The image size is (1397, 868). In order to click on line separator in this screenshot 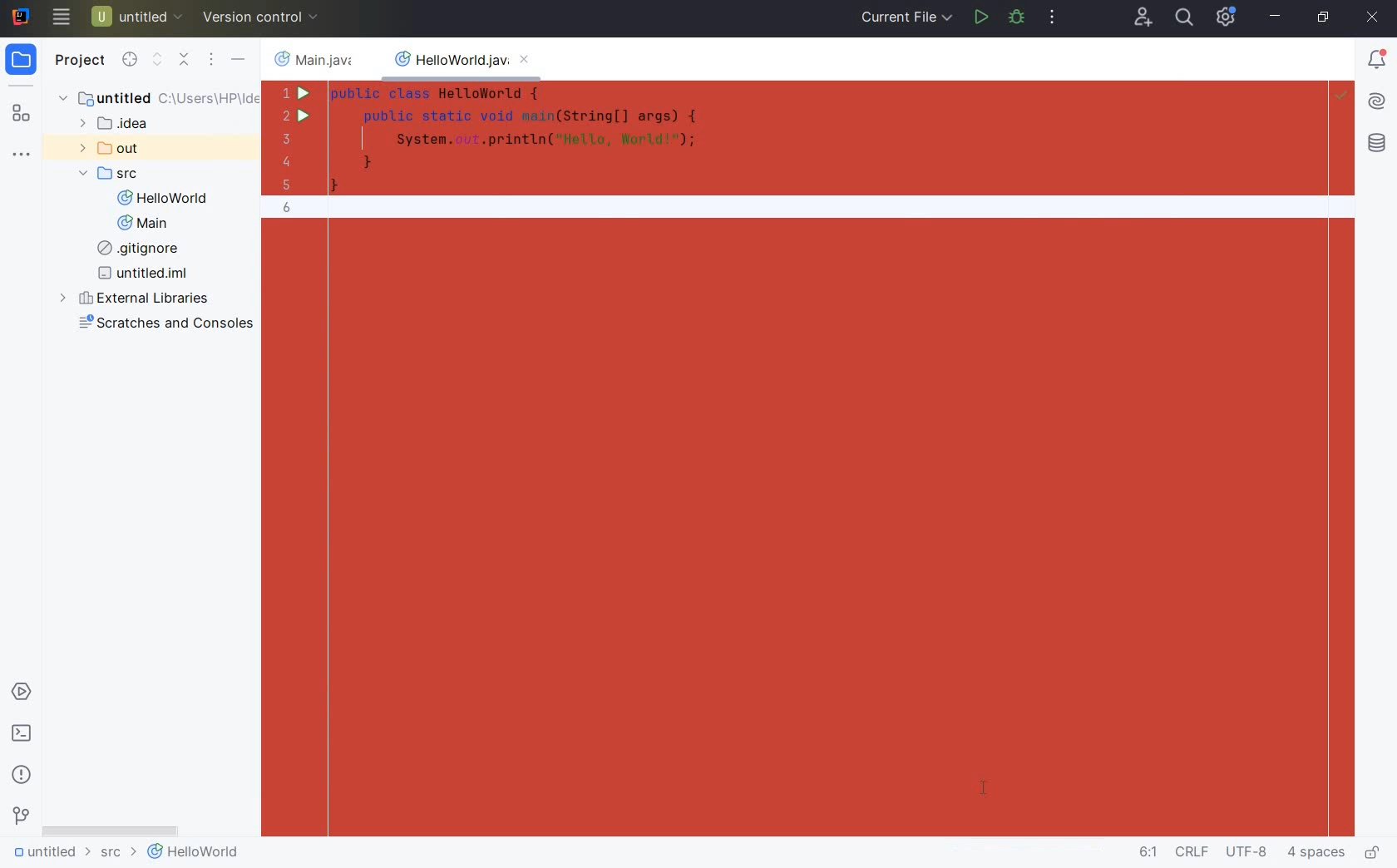, I will do `click(1191, 854)`.